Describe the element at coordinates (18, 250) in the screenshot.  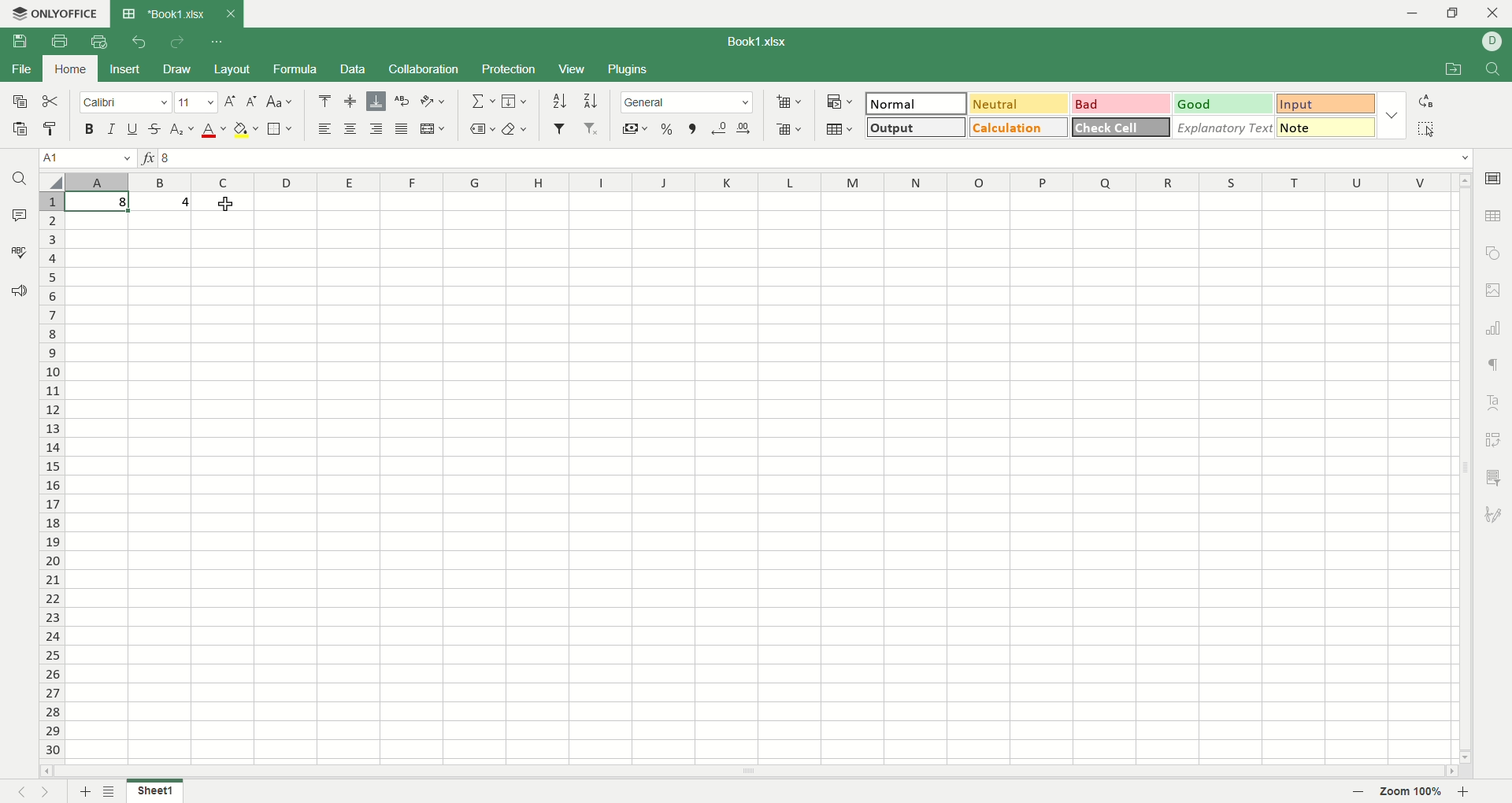
I see `spell check` at that location.